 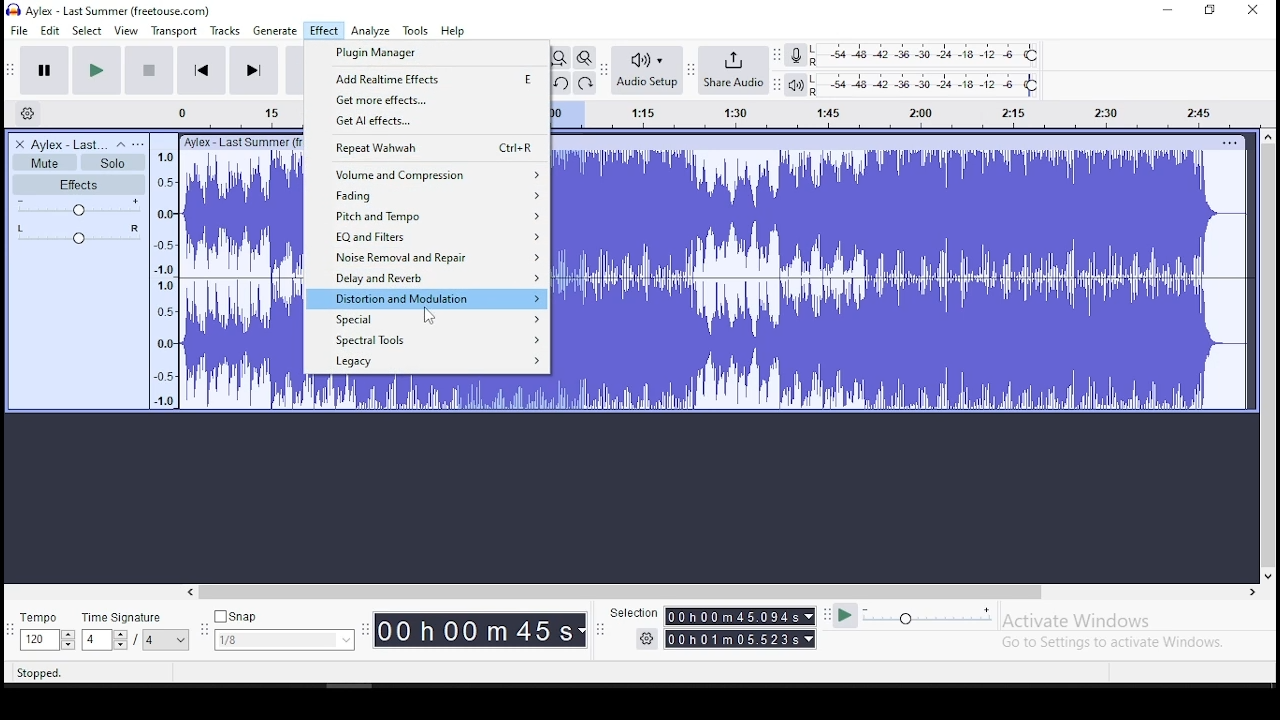 I want to click on get AI effects, so click(x=428, y=121).